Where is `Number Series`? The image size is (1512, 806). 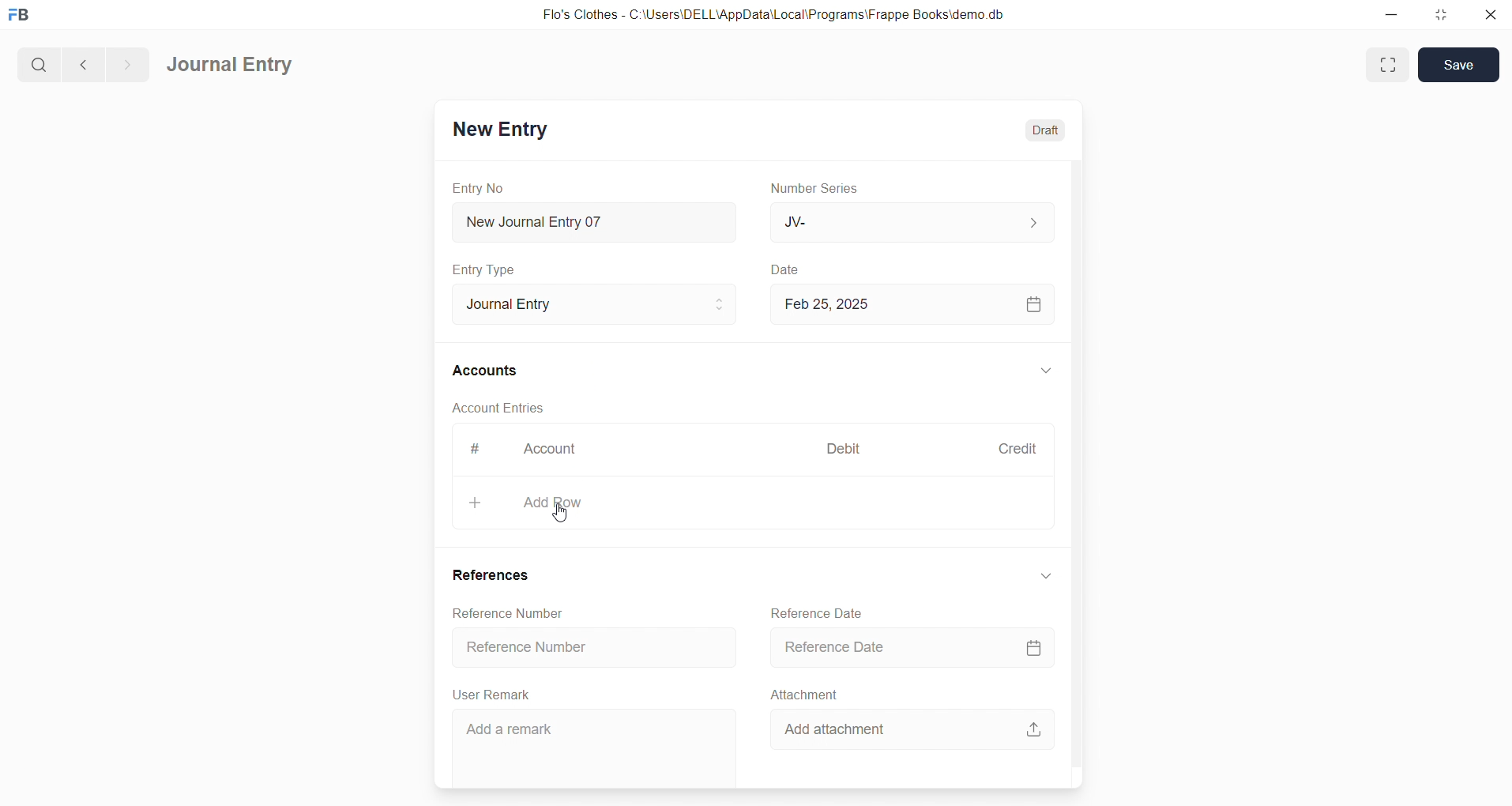 Number Series is located at coordinates (819, 189).